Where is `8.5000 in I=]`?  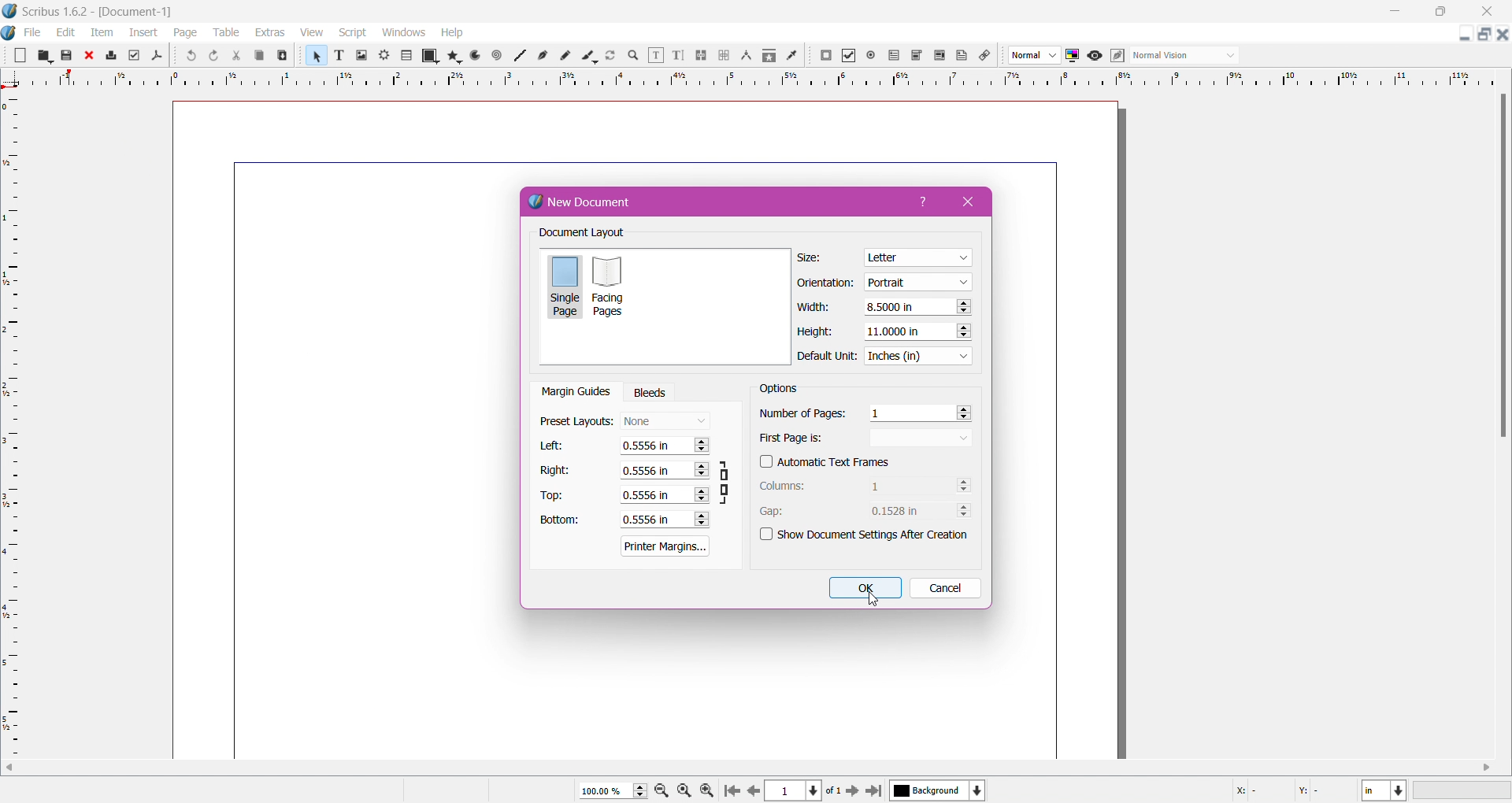 8.5000 in I=] is located at coordinates (920, 305).